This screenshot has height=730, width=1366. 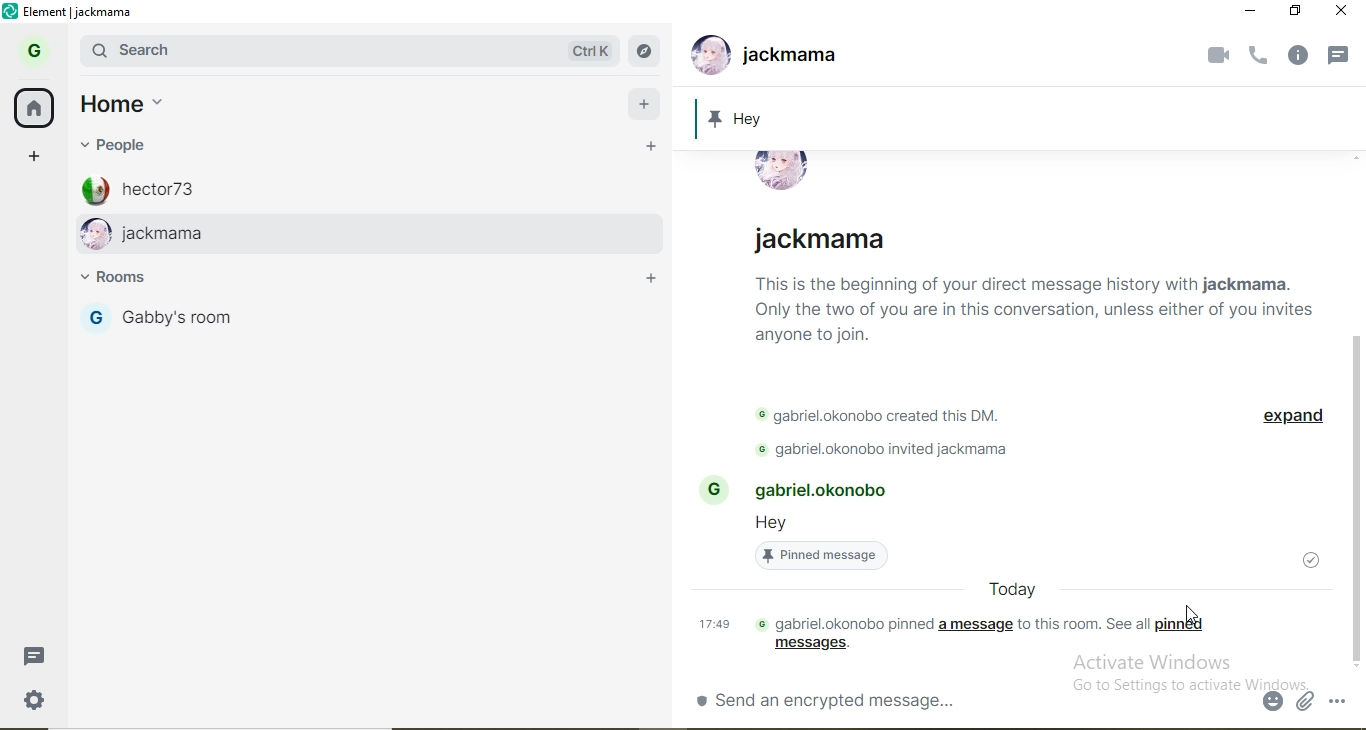 What do you see at coordinates (84, 15) in the screenshot?
I see `element` at bounding box center [84, 15].